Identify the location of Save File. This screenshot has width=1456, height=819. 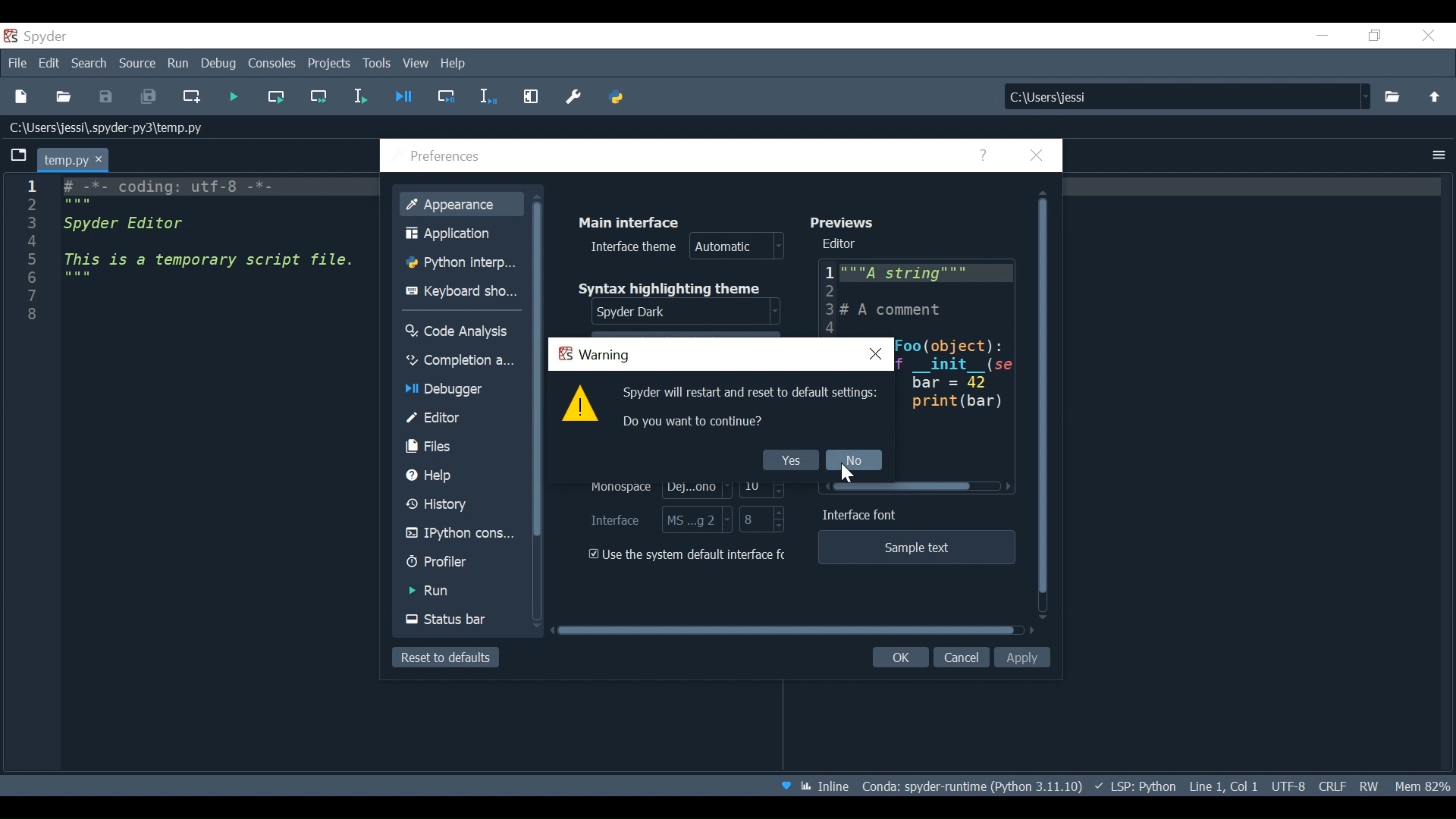
(106, 96).